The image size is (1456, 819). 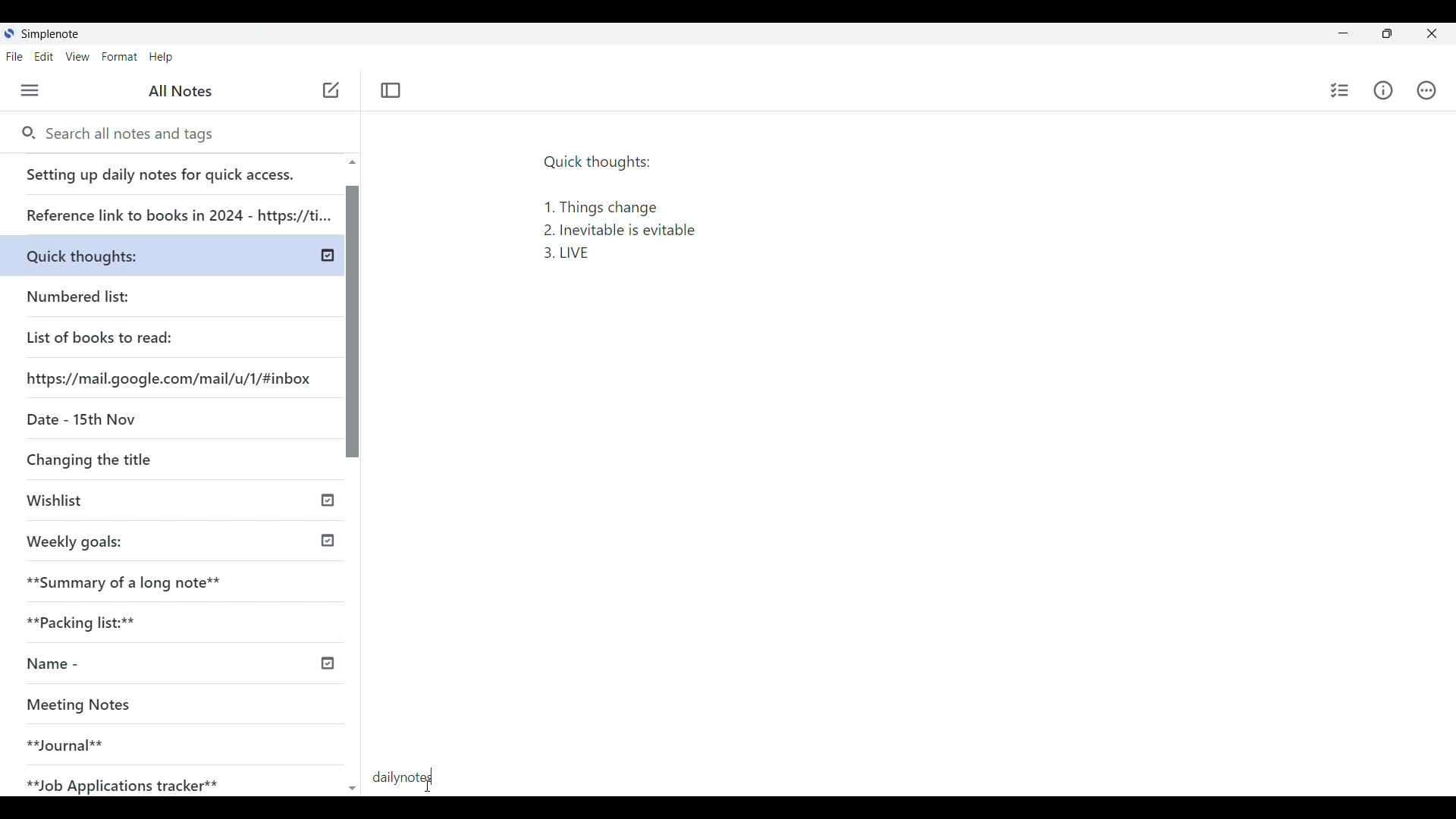 I want to click on Vertical slide bar, so click(x=354, y=482).